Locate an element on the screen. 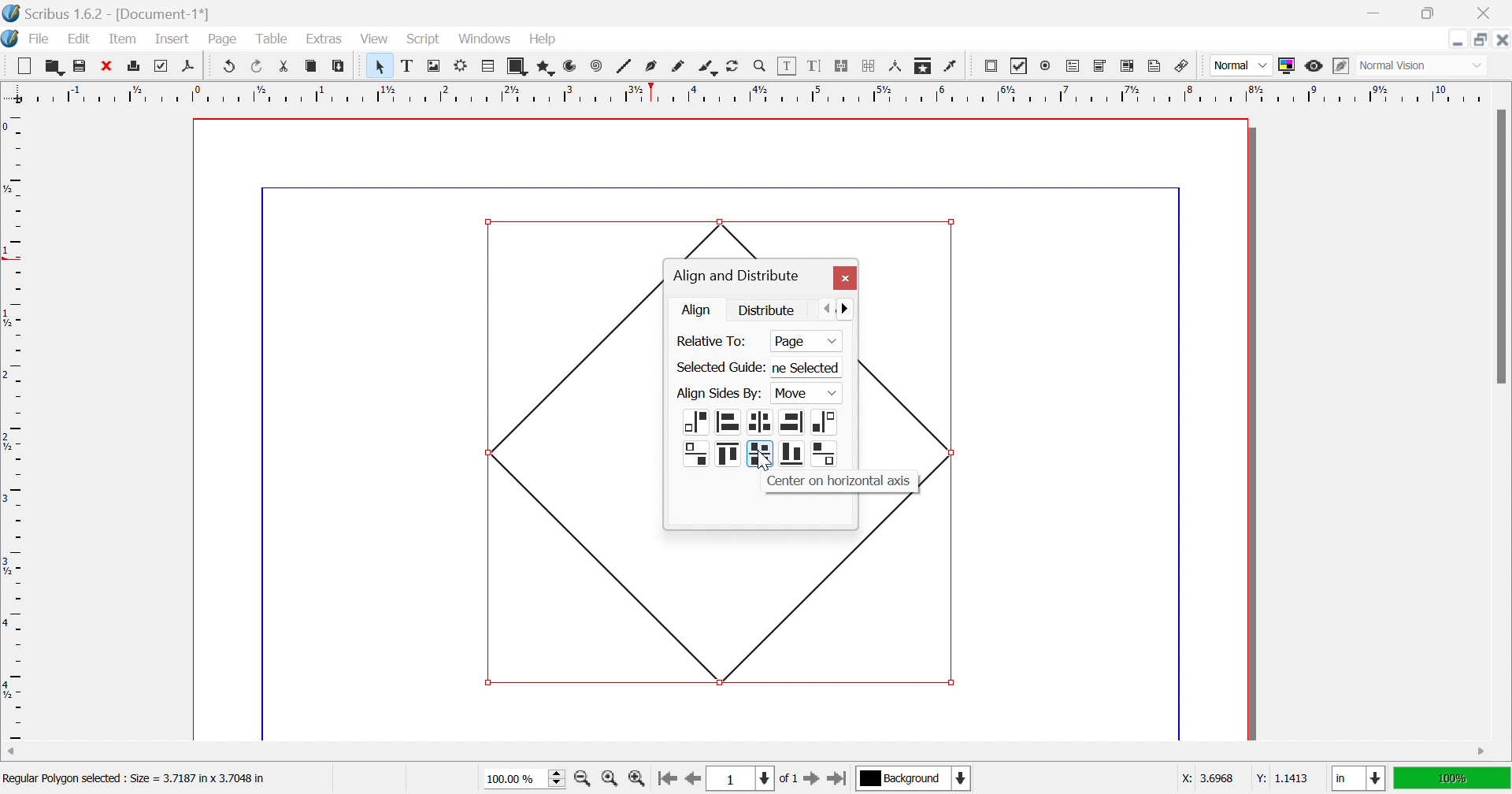 This screenshot has width=1512, height=794. Zoom in or out is located at coordinates (760, 65).